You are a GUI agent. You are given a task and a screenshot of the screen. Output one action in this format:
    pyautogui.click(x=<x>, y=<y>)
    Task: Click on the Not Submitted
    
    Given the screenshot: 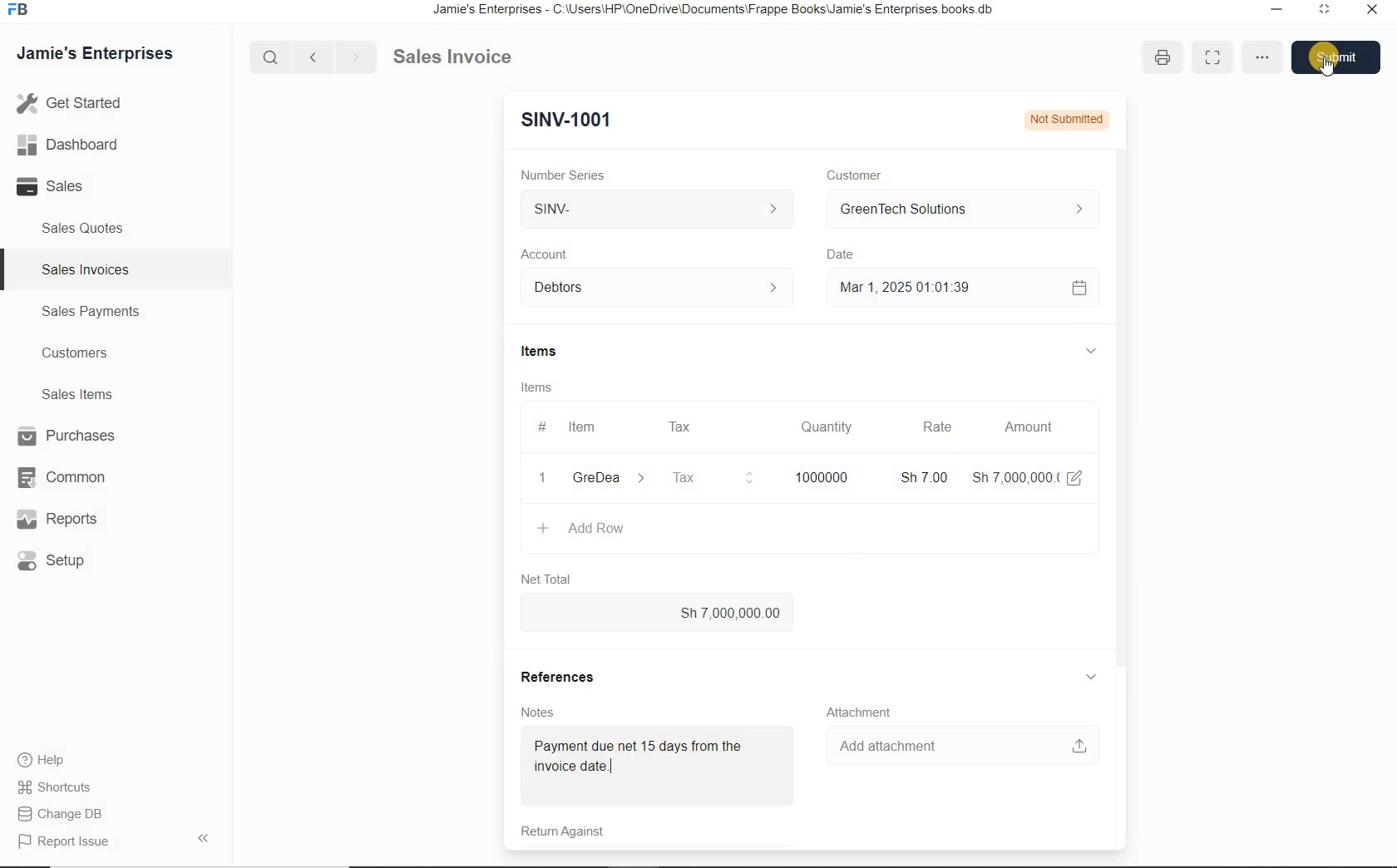 What is the action you would take?
    pyautogui.click(x=1064, y=118)
    